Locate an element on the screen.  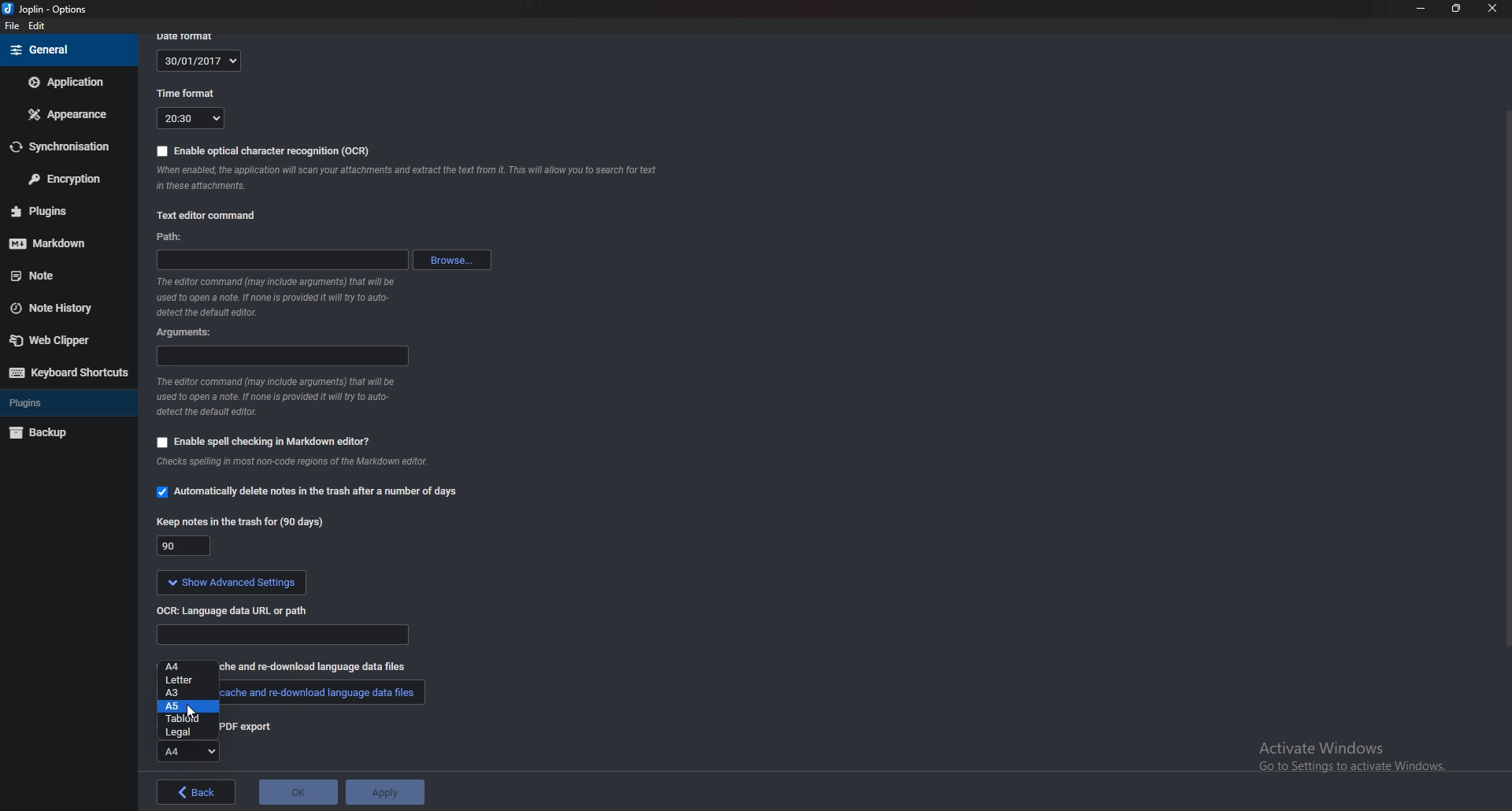
Time format is located at coordinates (187, 91).